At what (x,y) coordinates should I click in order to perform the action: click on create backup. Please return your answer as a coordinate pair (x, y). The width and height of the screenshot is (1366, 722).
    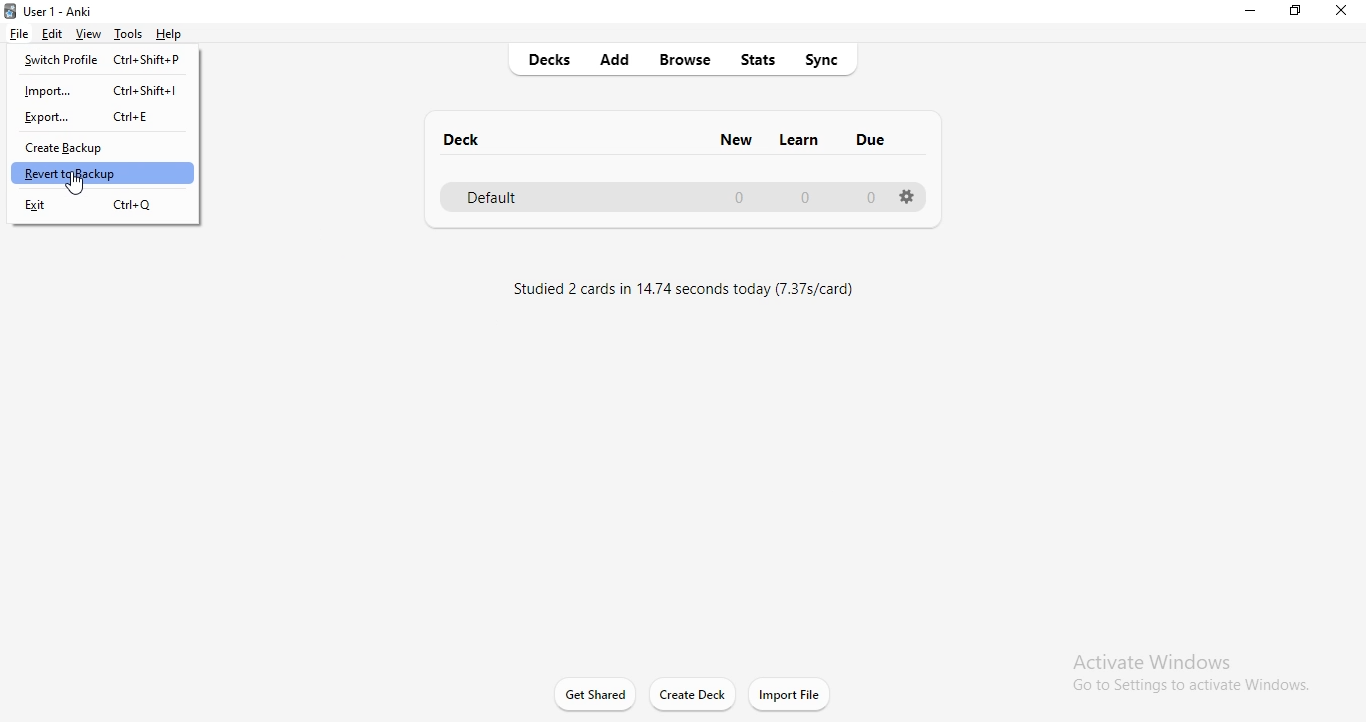
    Looking at the image, I should click on (108, 150).